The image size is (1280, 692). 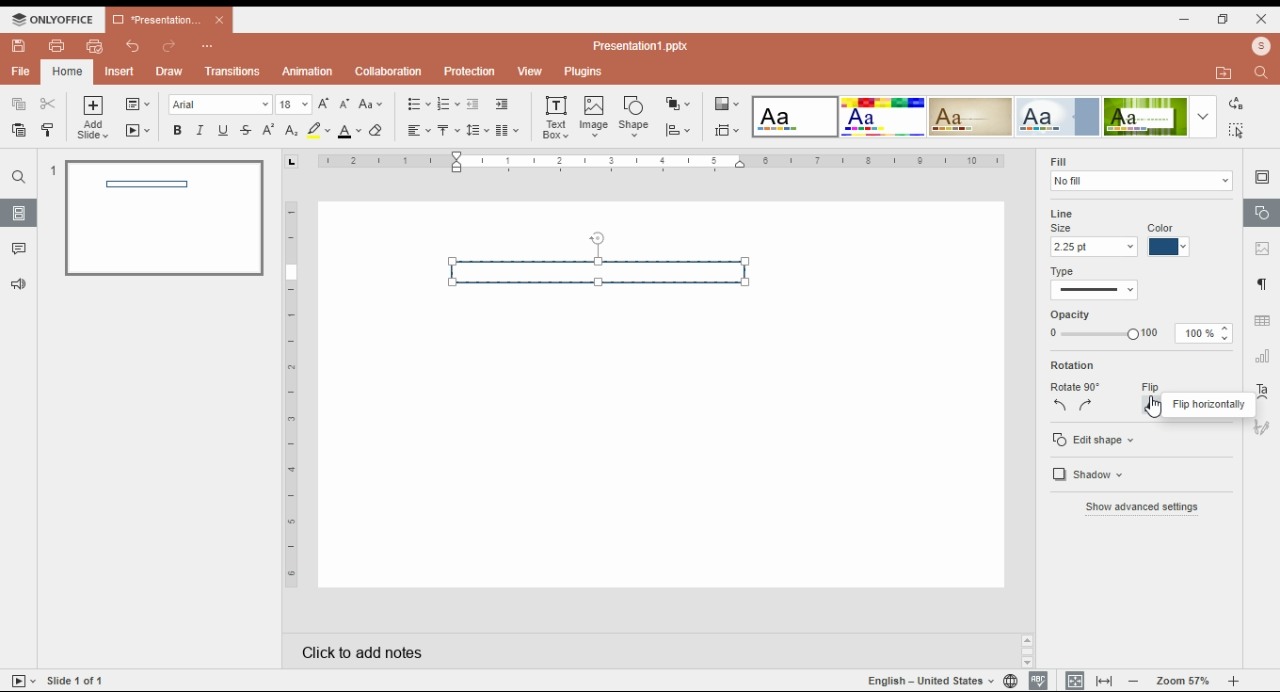 What do you see at coordinates (389, 73) in the screenshot?
I see `collaboration` at bounding box center [389, 73].